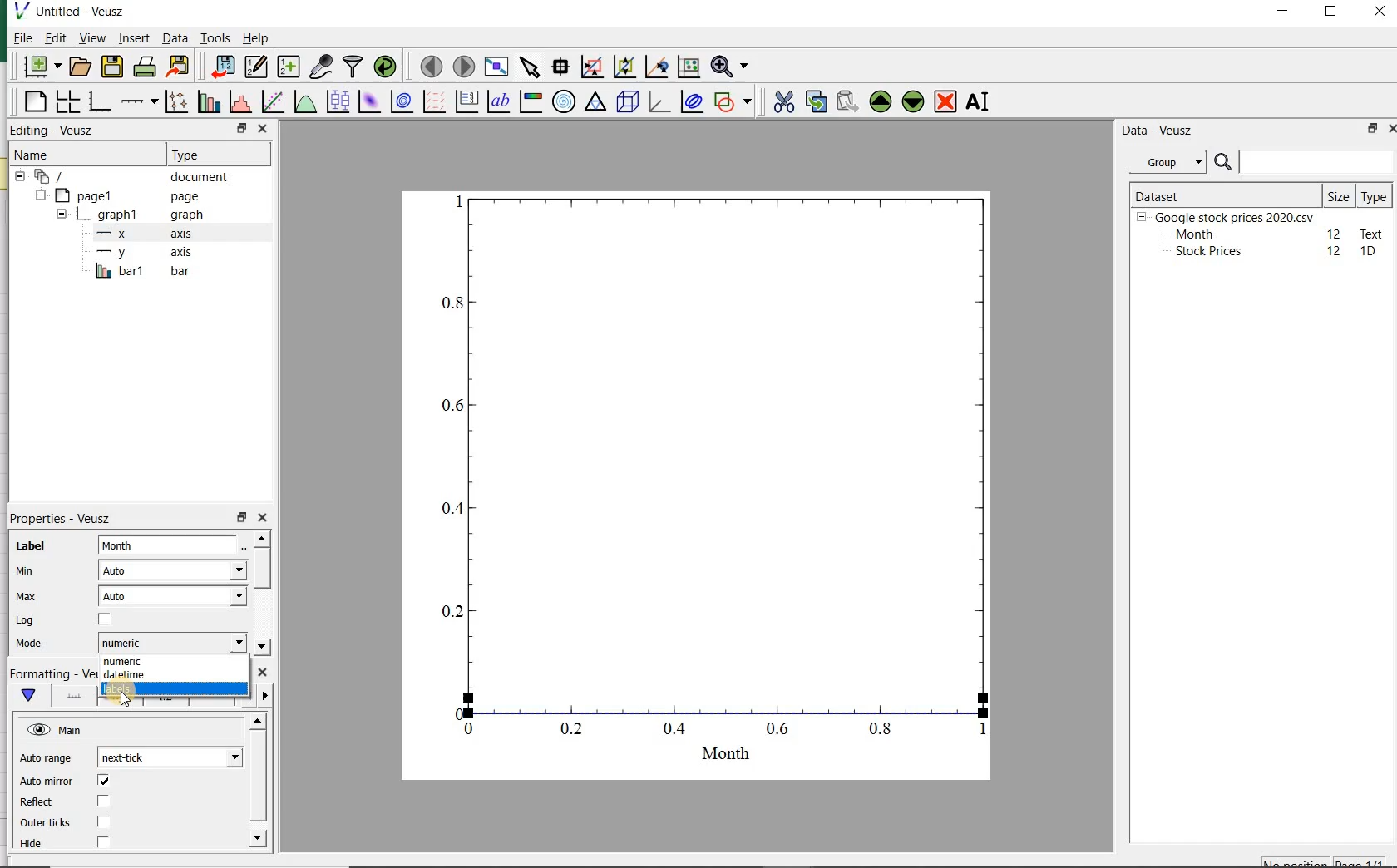 This screenshot has height=868, width=1397. I want to click on 3d scene, so click(628, 103).